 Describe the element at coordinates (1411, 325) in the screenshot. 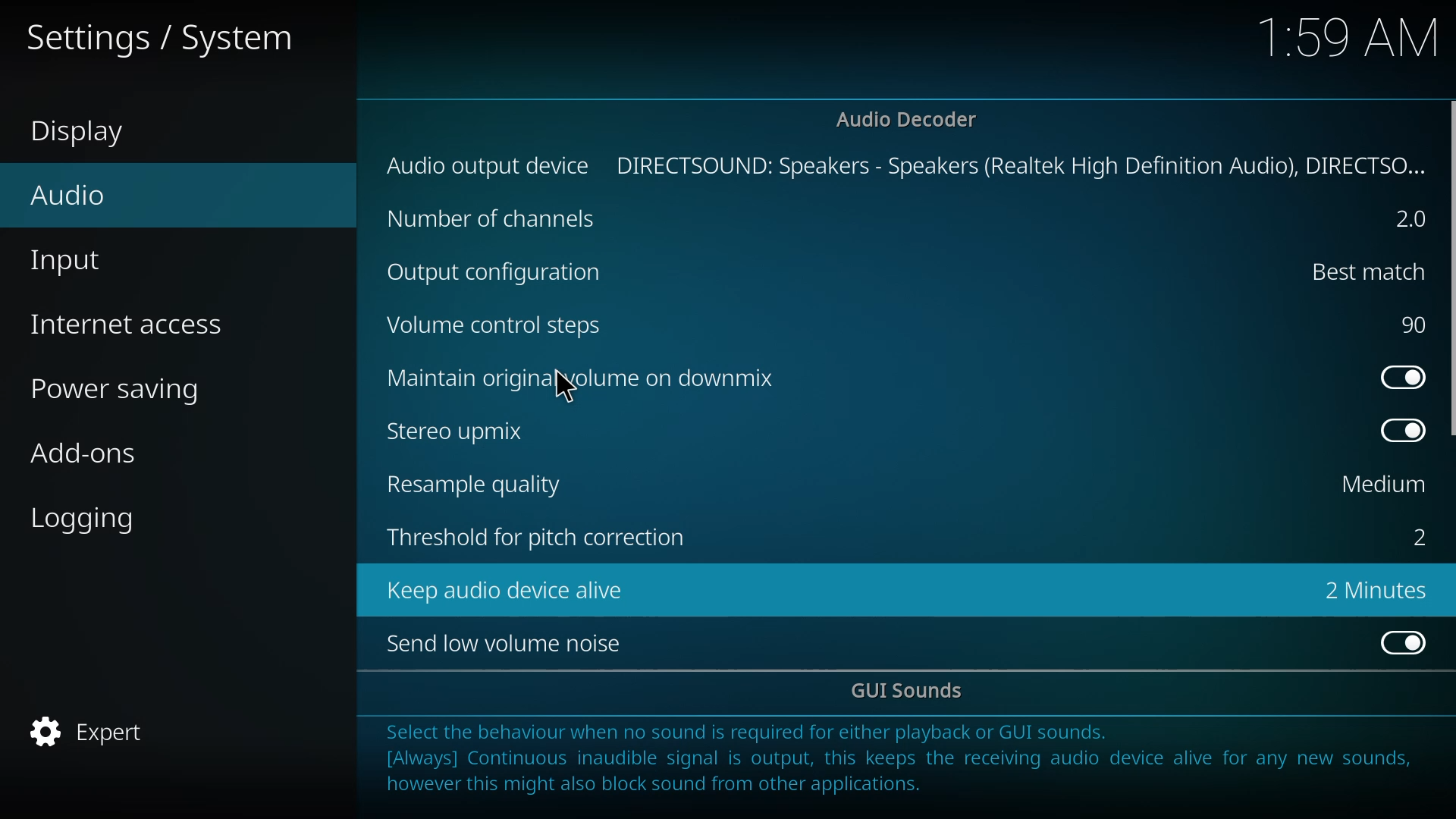

I see `90` at that location.